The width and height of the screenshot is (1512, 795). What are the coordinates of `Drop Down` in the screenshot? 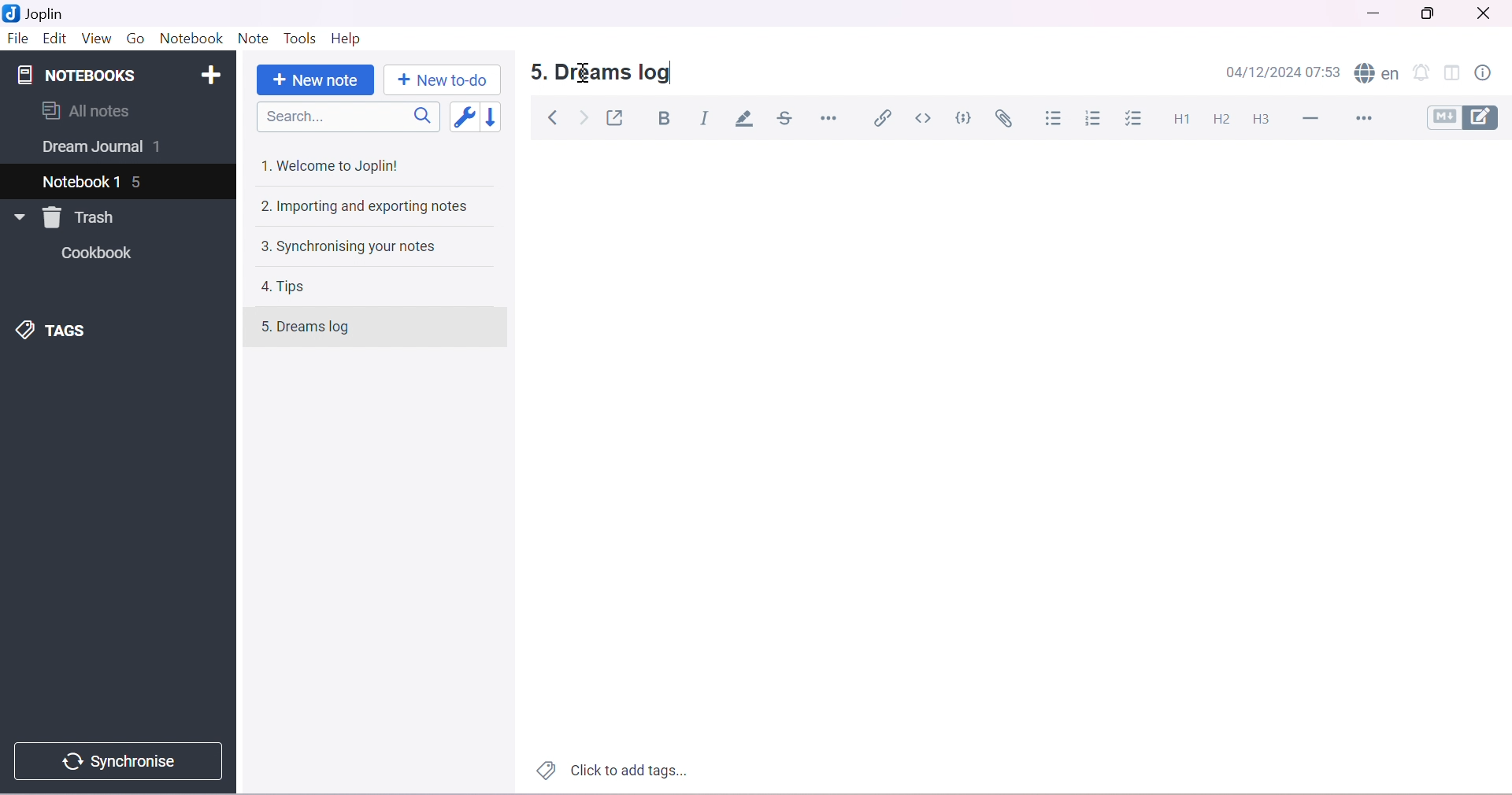 It's located at (16, 217).